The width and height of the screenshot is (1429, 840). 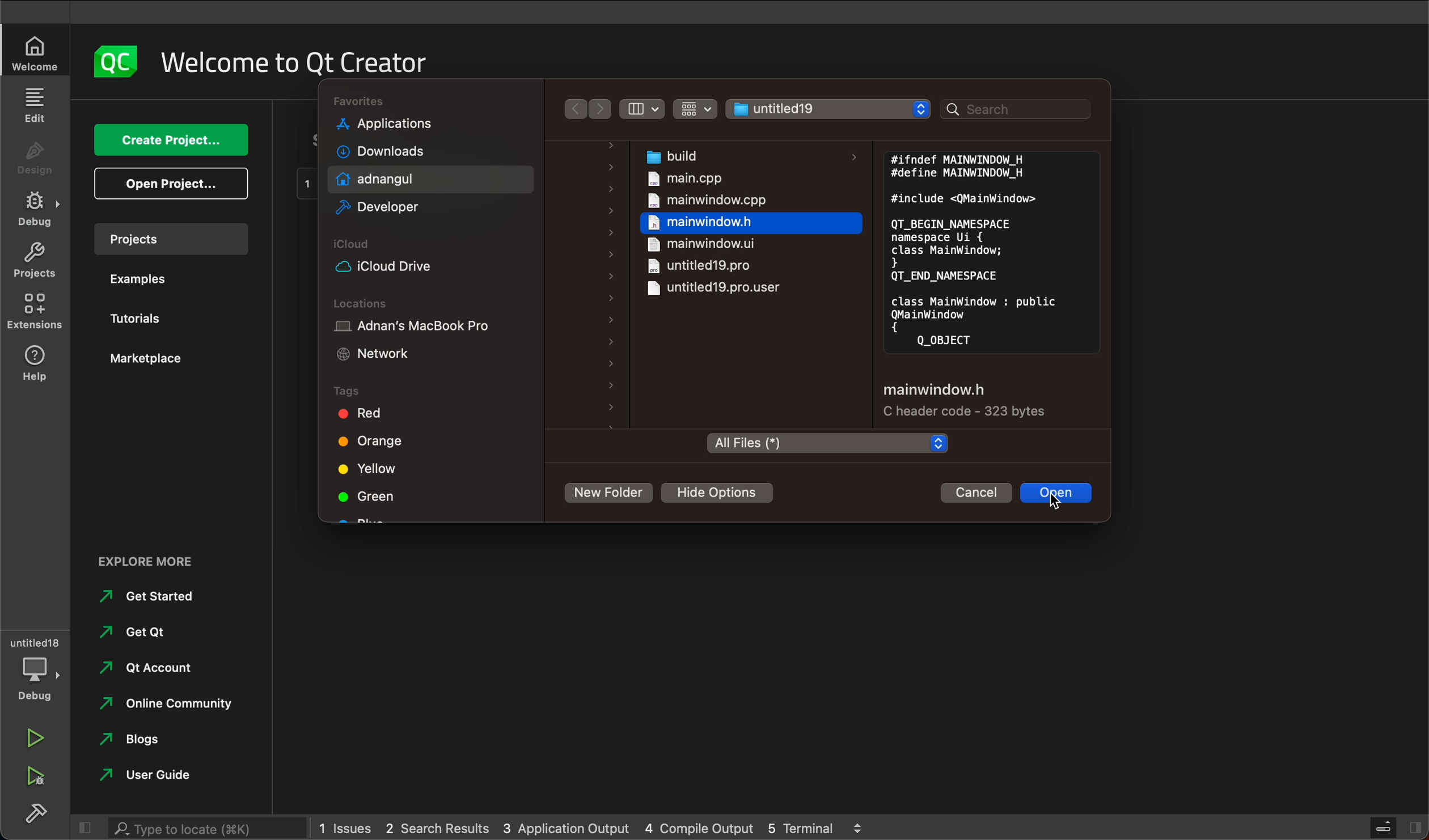 I want to click on red, so click(x=378, y=415).